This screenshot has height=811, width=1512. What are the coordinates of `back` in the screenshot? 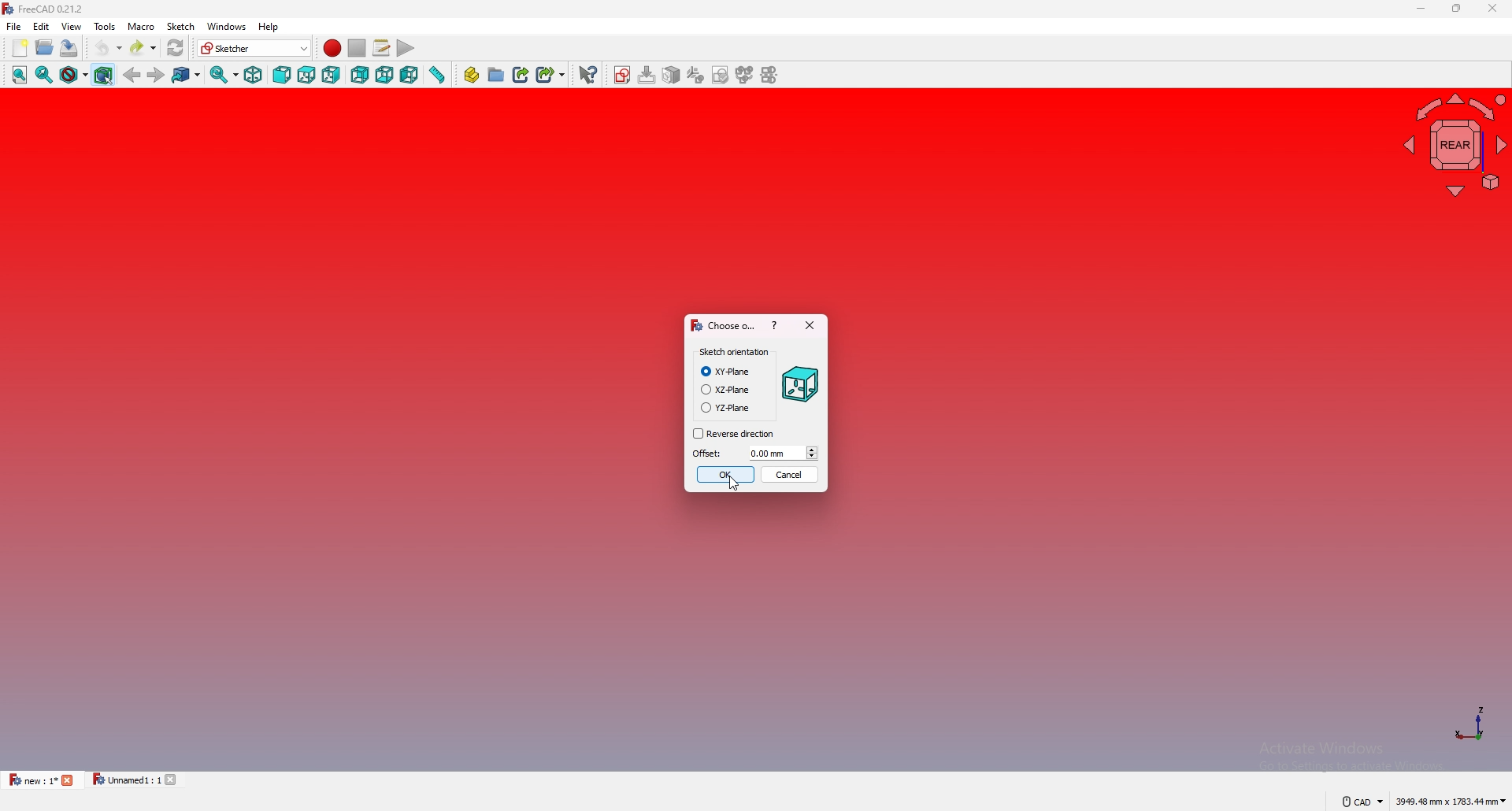 It's located at (360, 75).